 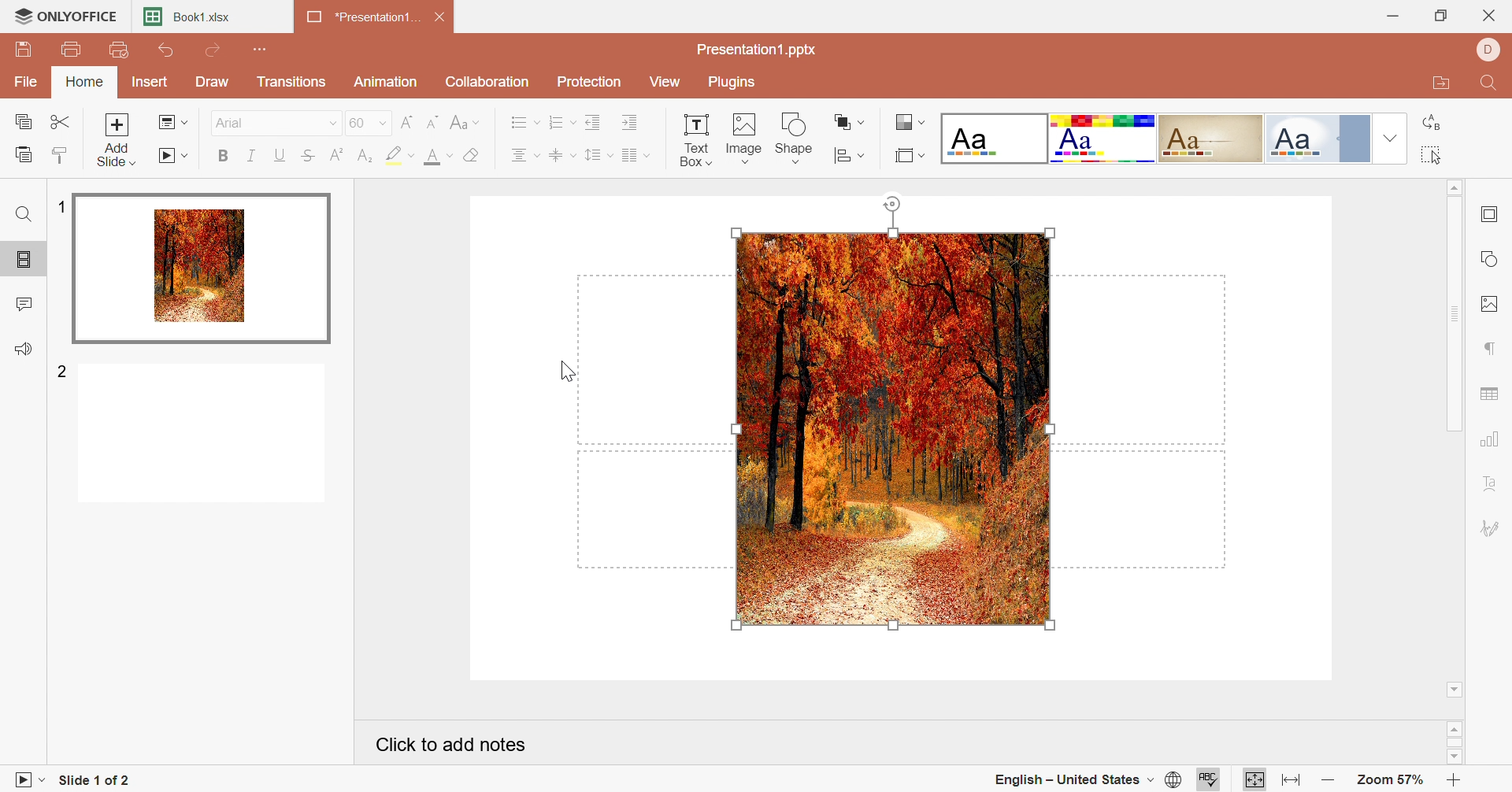 I want to click on Slide, so click(x=202, y=435).